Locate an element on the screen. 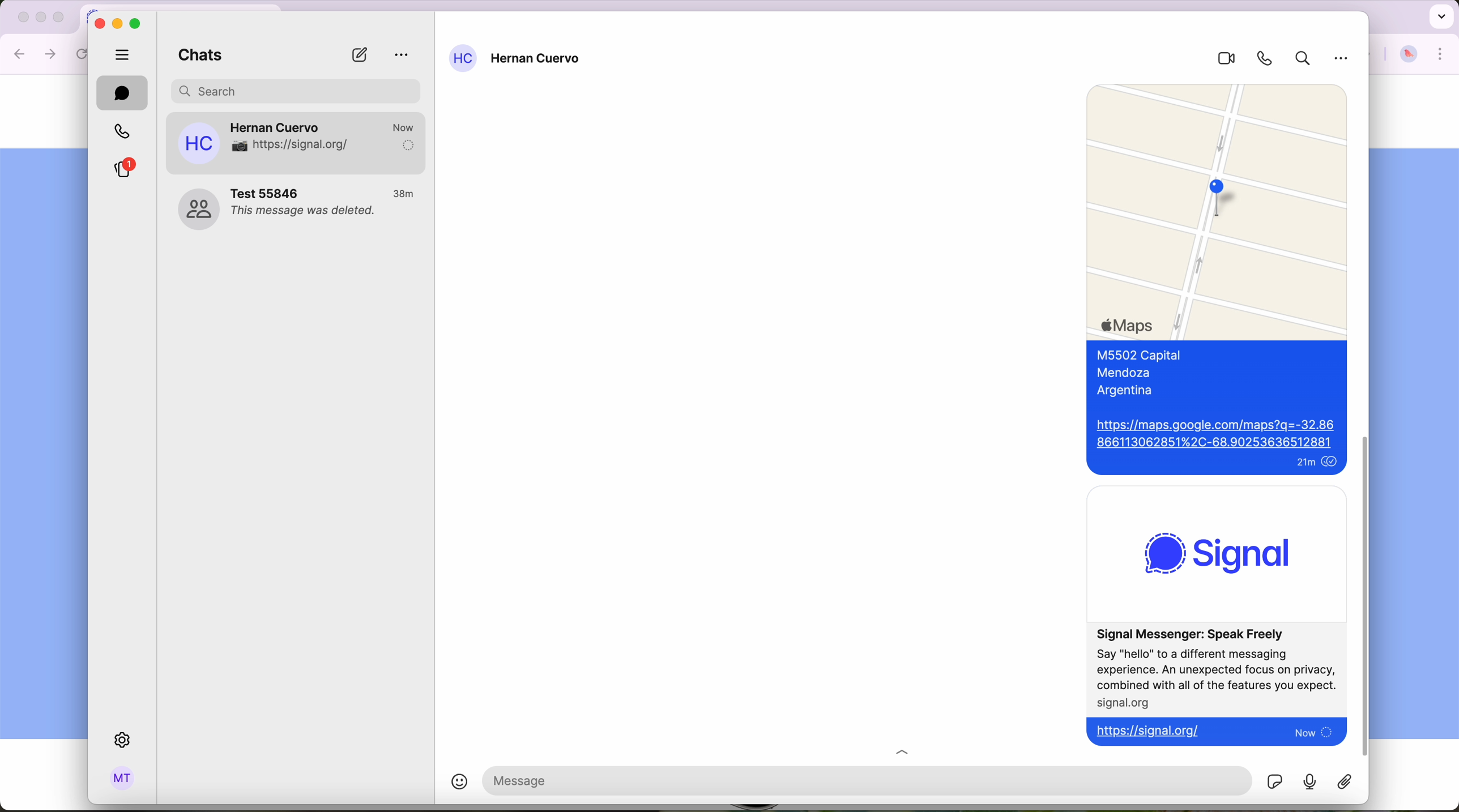 This screenshot has width=1459, height=812. profile icon is located at coordinates (463, 58).